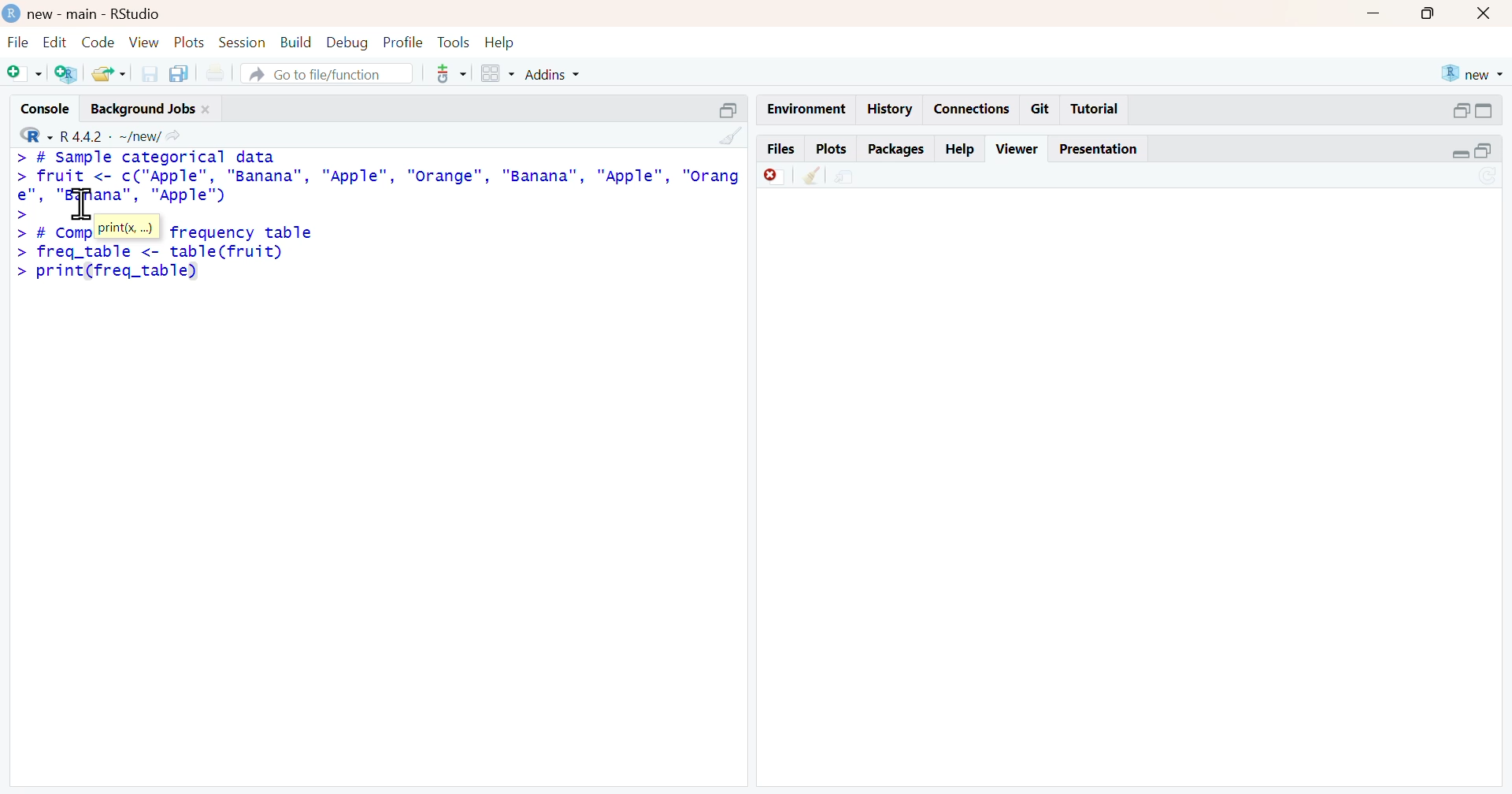  I want to click on help, so click(962, 149).